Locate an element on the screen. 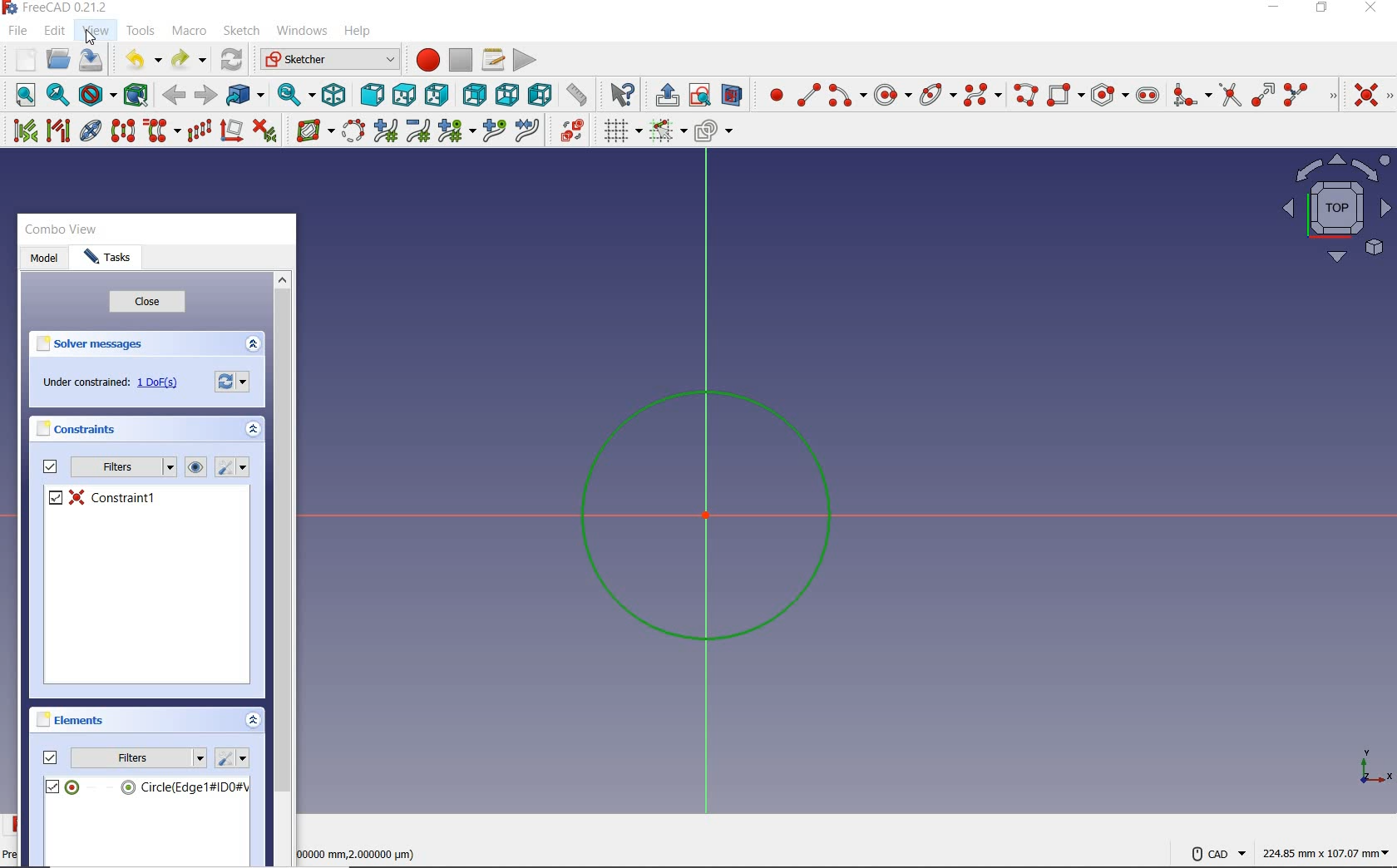 The image size is (1397, 868). constrain coincident is located at coordinates (1370, 94).